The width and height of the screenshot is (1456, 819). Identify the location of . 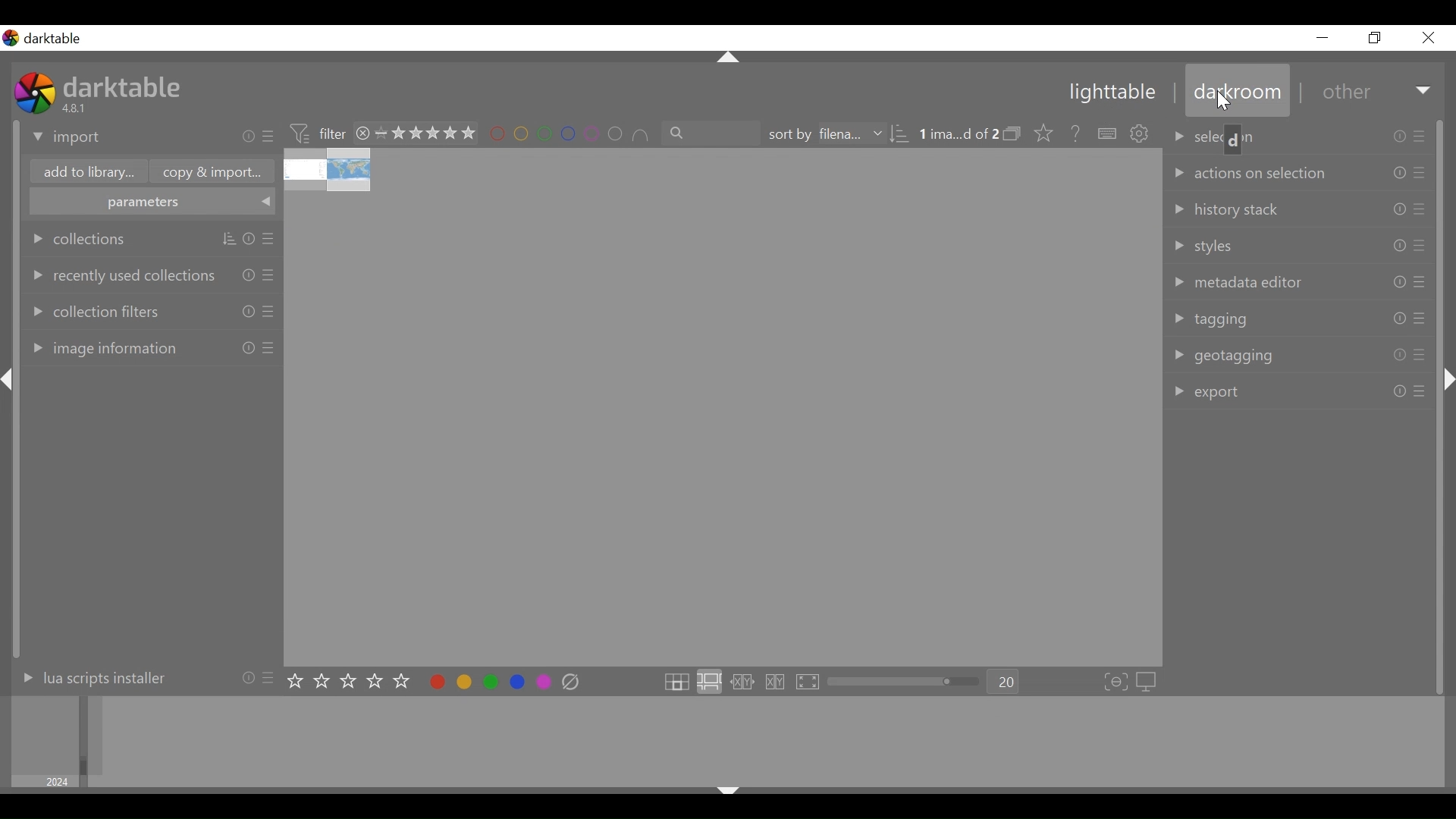
(1398, 284).